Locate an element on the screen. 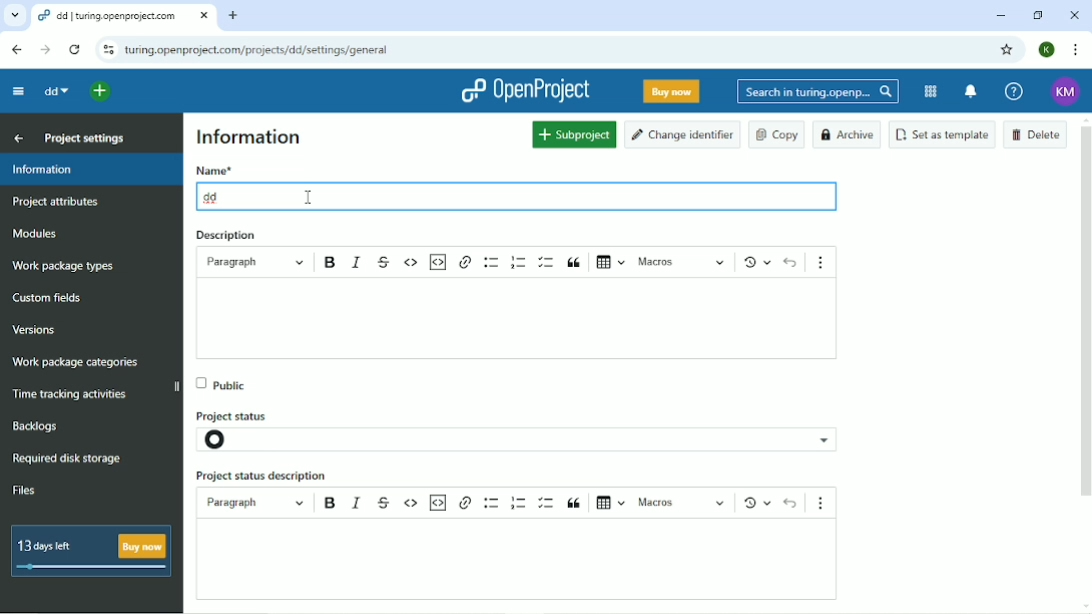  macros is located at coordinates (683, 502).